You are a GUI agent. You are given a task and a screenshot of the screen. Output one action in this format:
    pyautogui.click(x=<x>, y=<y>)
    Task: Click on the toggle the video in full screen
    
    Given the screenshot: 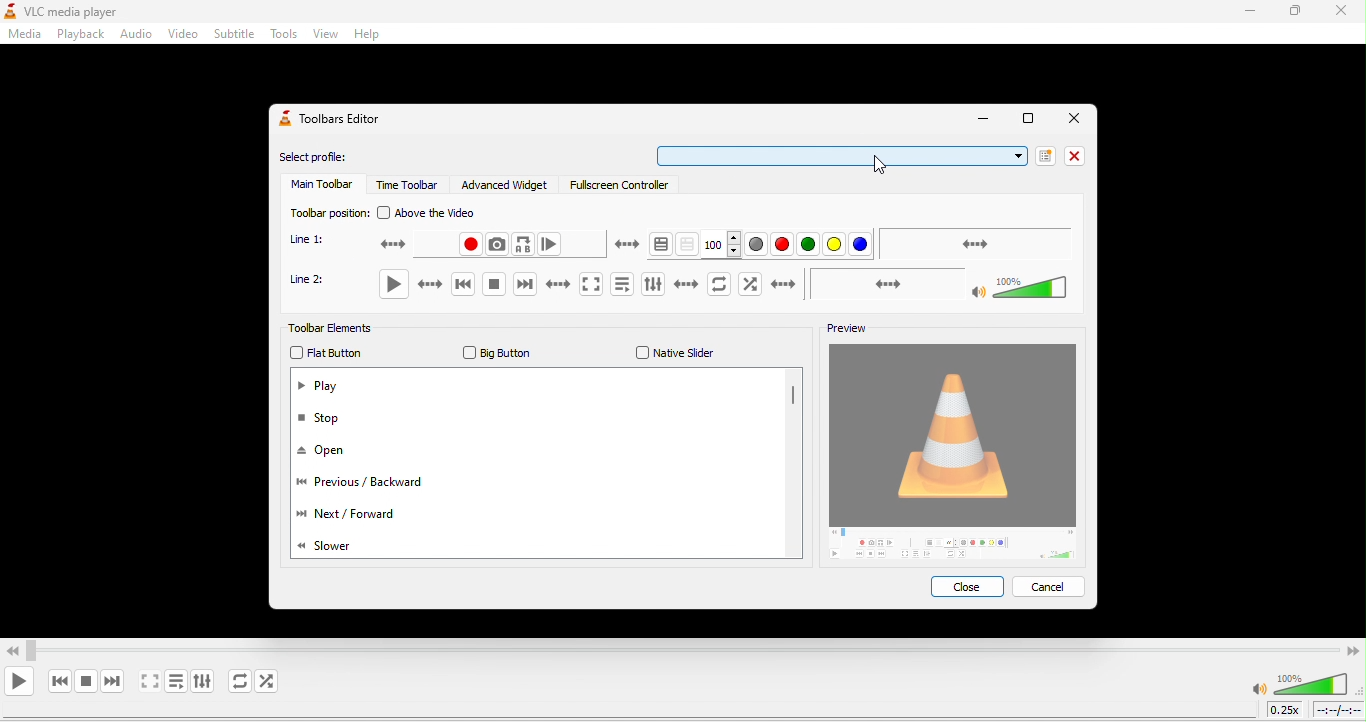 What is the action you would take?
    pyautogui.click(x=571, y=283)
    